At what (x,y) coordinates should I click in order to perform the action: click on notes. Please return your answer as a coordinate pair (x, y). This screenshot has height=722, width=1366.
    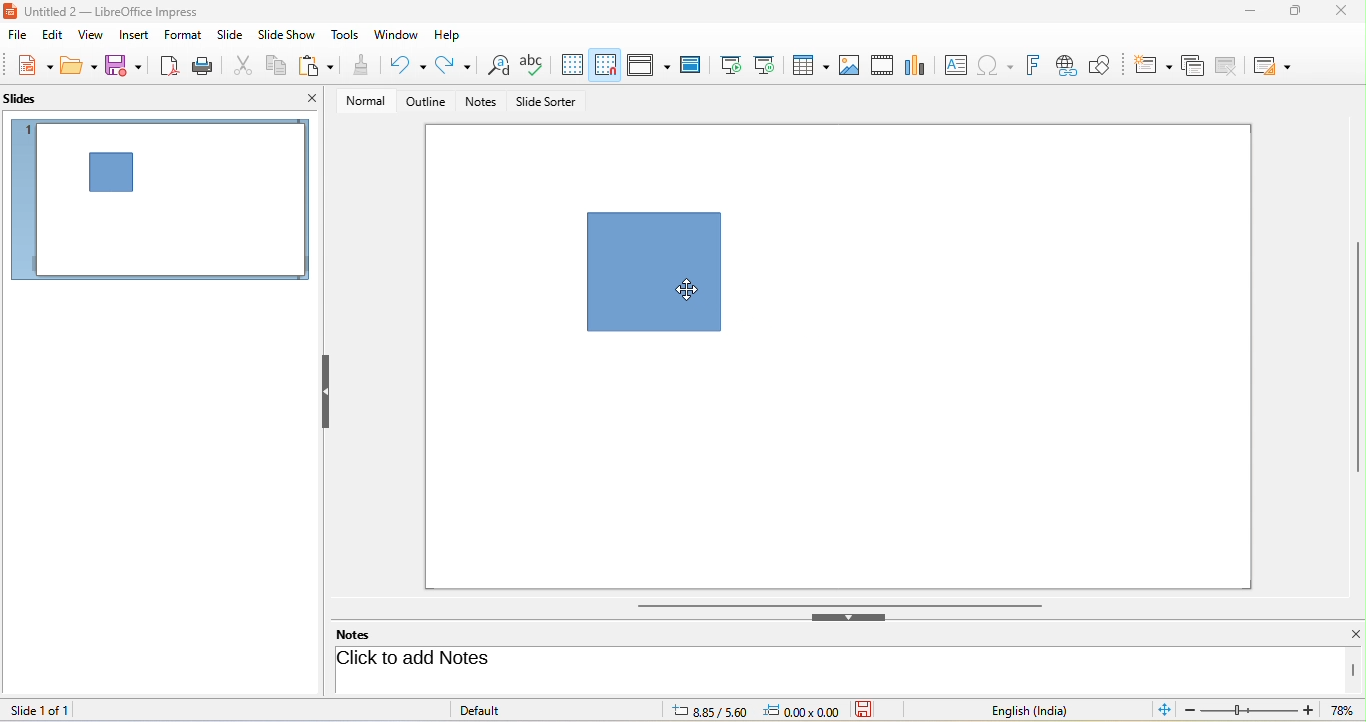
    Looking at the image, I should click on (366, 634).